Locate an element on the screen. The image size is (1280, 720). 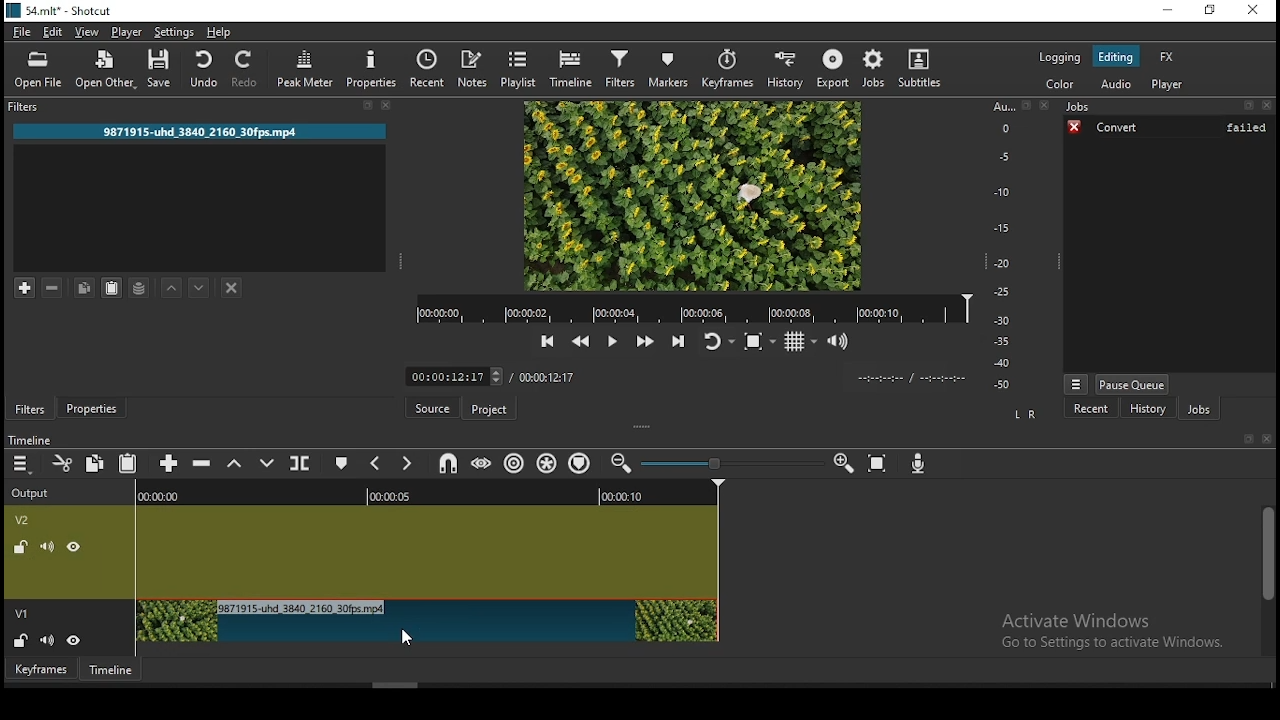
play quickly backwards is located at coordinates (582, 342).